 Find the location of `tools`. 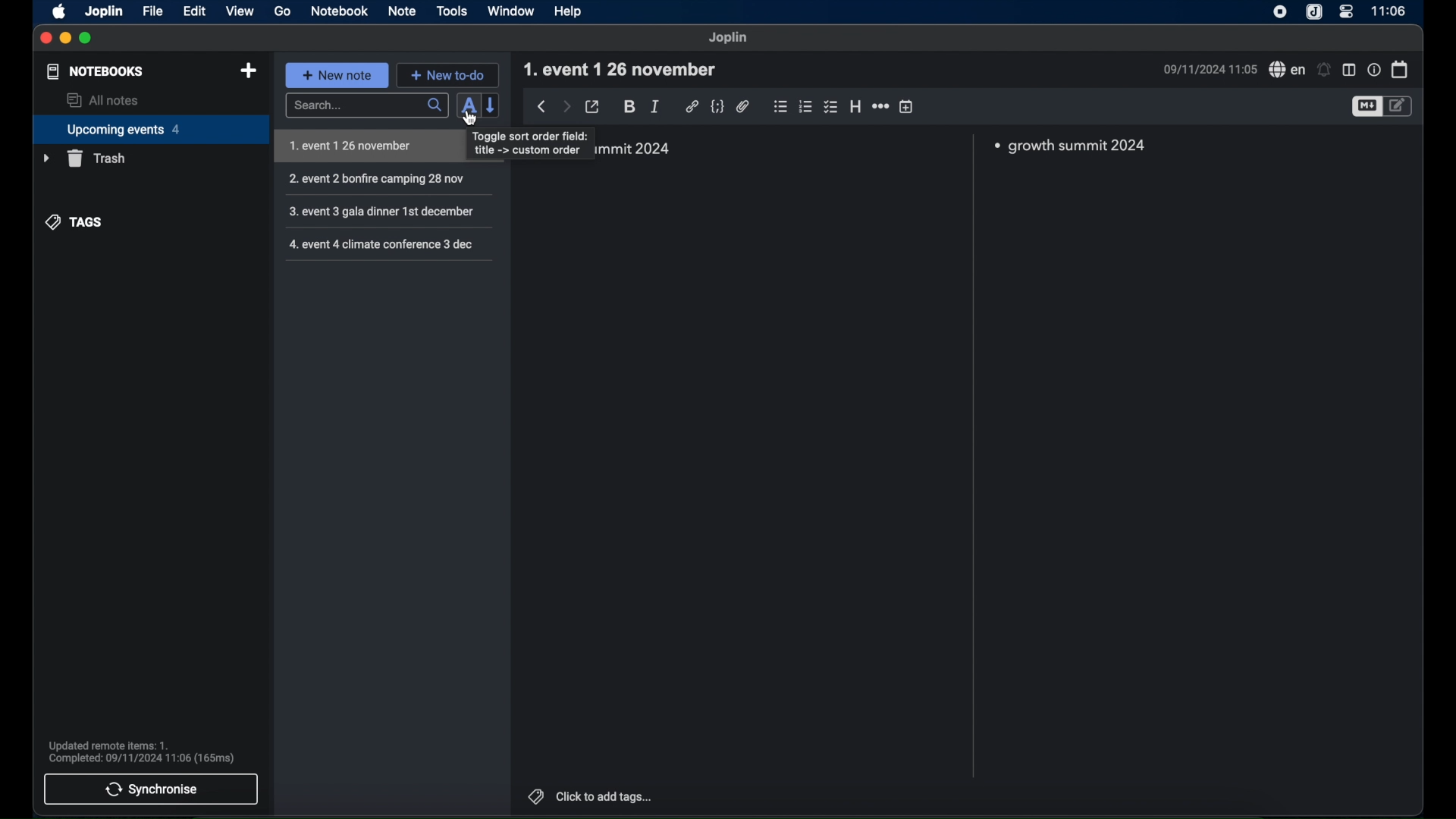

tools is located at coordinates (451, 11).